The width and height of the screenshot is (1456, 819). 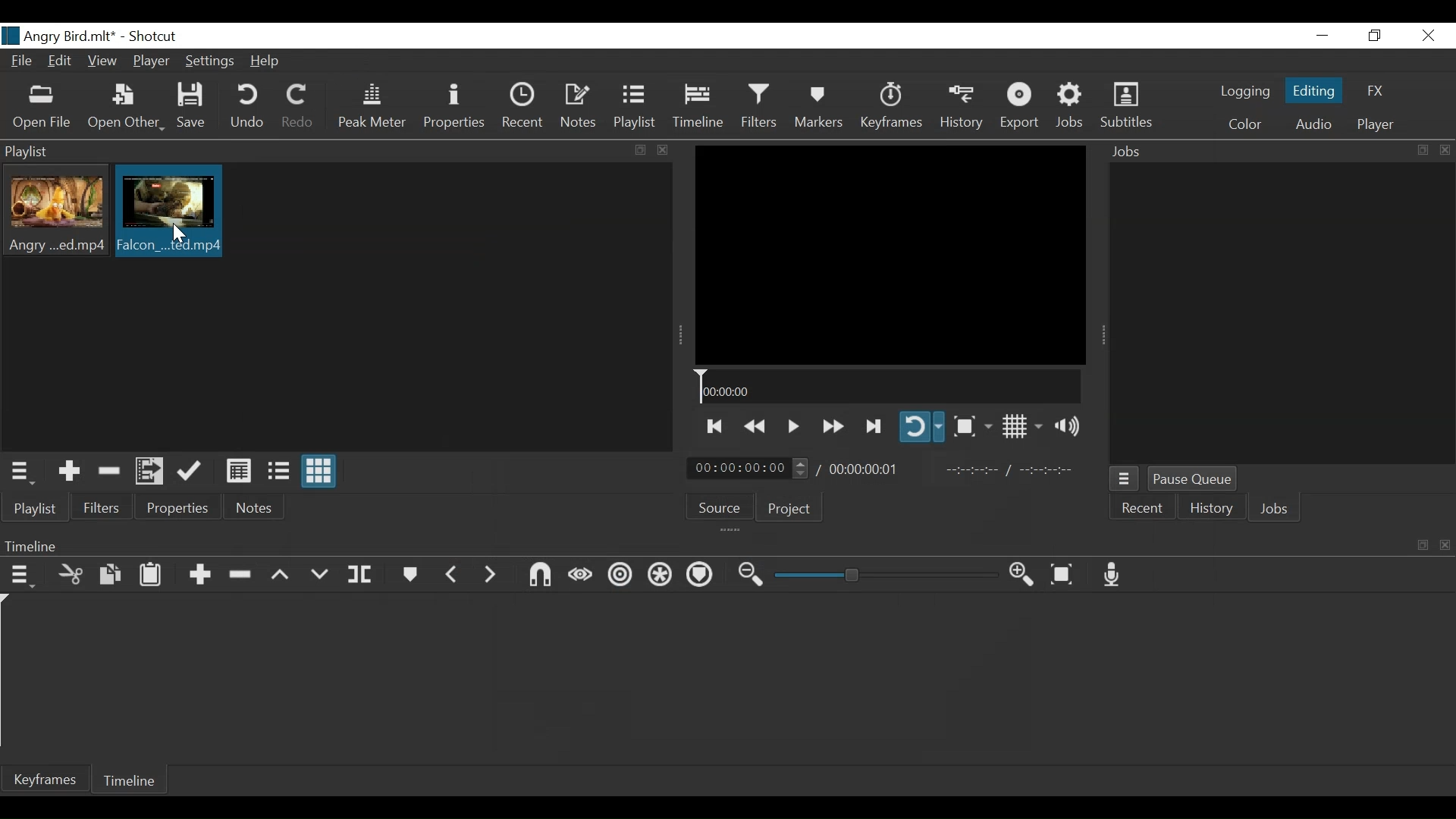 What do you see at coordinates (62, 62) in the screenshot?
I see `Edit` at bounding box center [62, 62].